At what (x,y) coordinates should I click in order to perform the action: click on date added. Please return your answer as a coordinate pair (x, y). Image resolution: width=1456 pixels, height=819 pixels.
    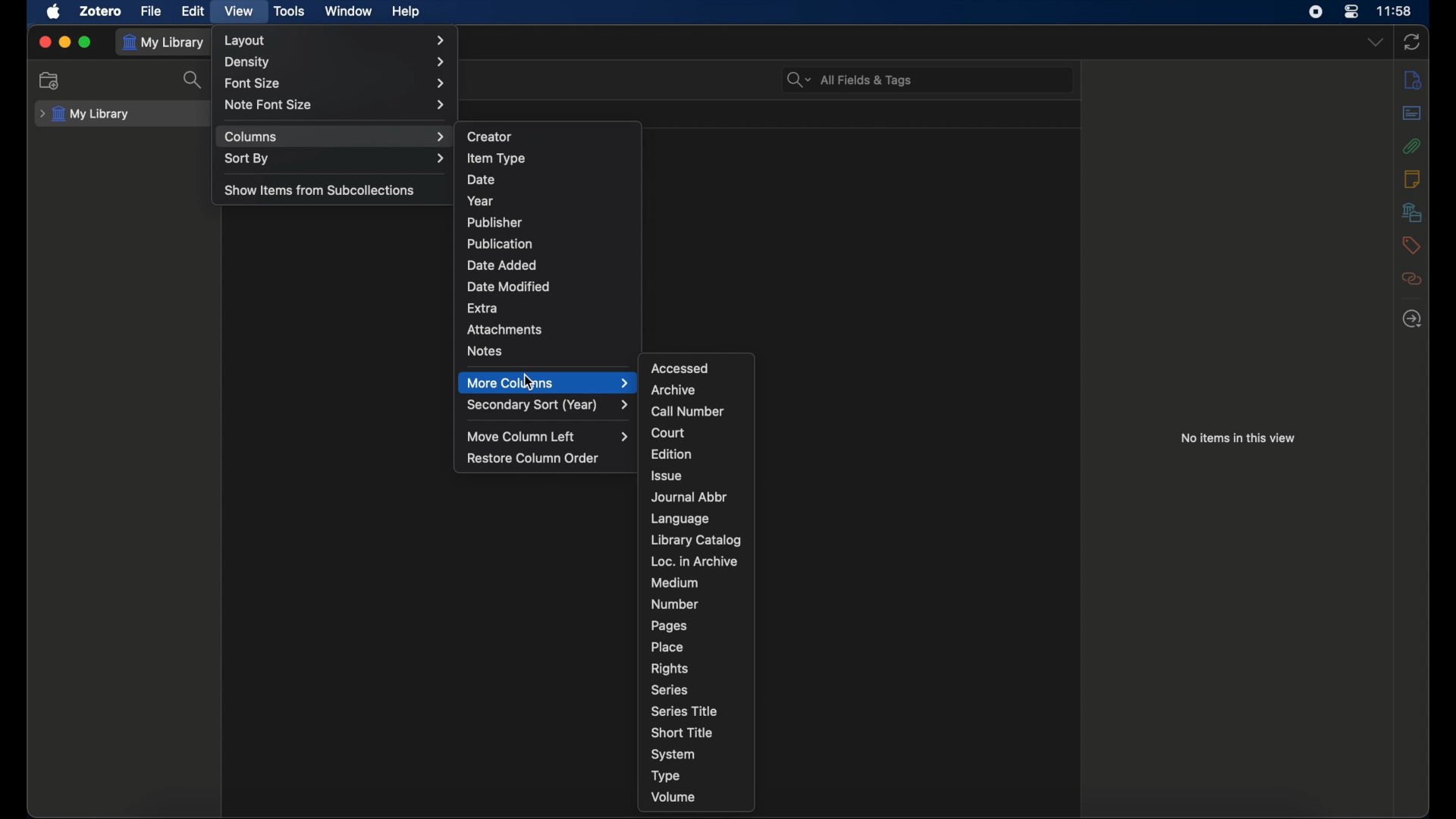
    Looking at the image, I should click on (504, 265).